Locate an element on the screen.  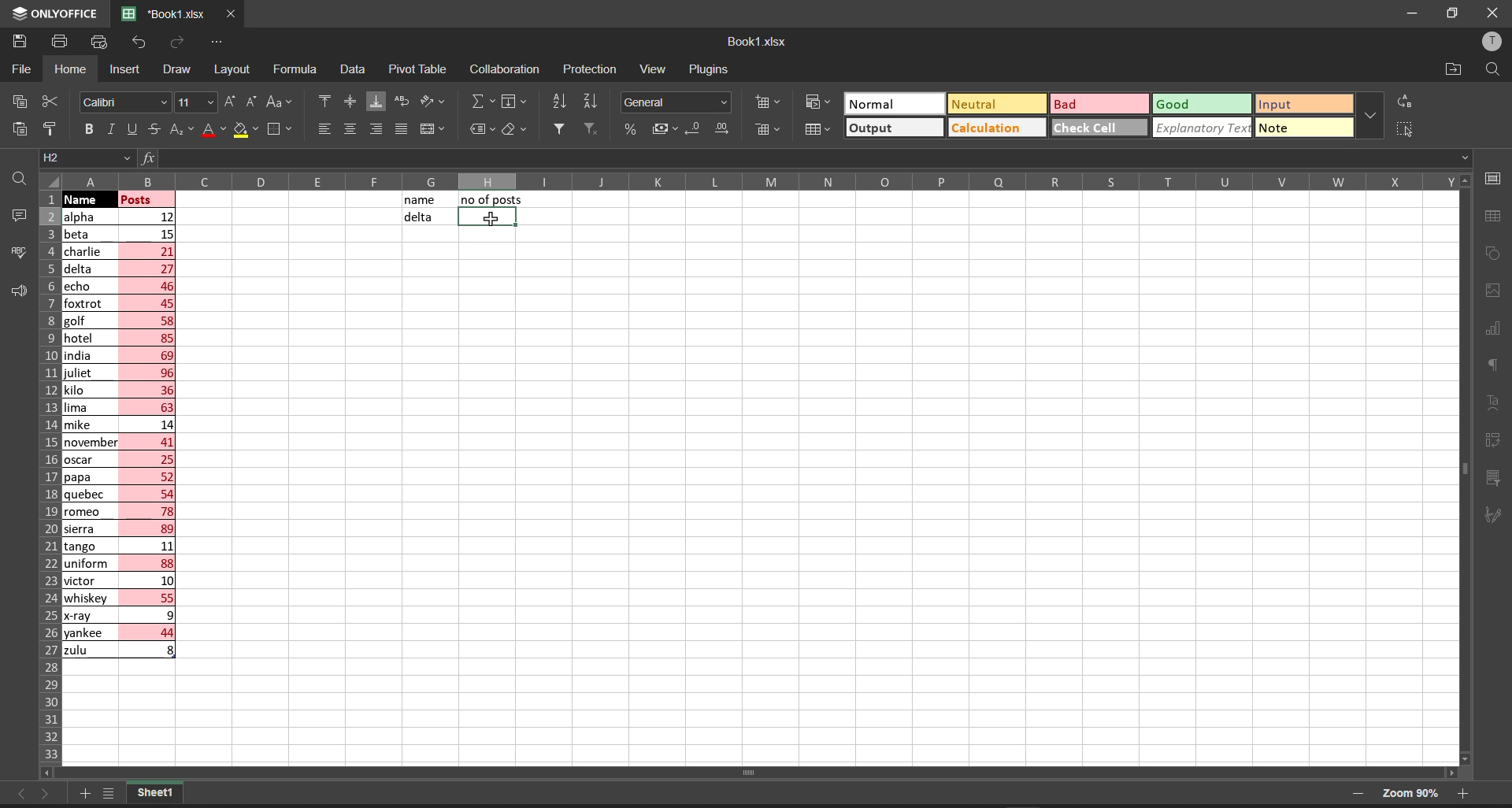
replace is located at coordinates (1406, 101).